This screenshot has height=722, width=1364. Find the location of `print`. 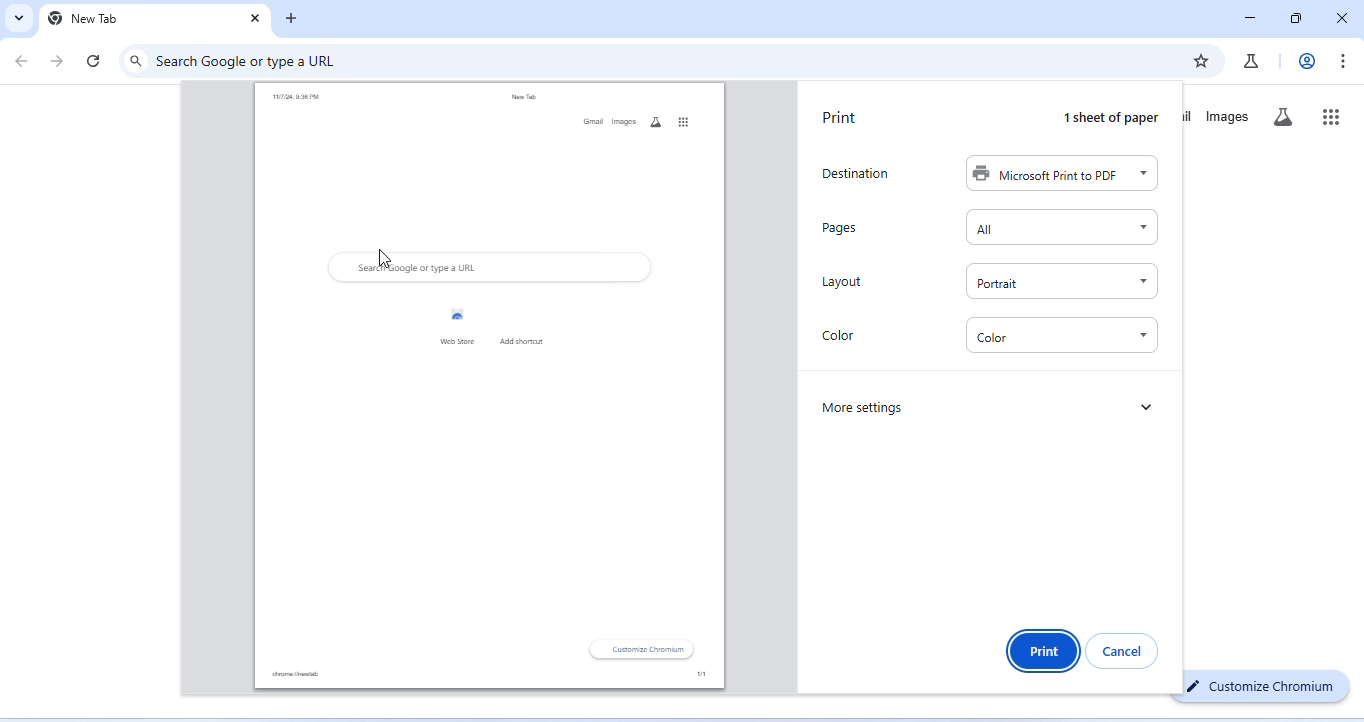

print is located at coordinates (838, 118).